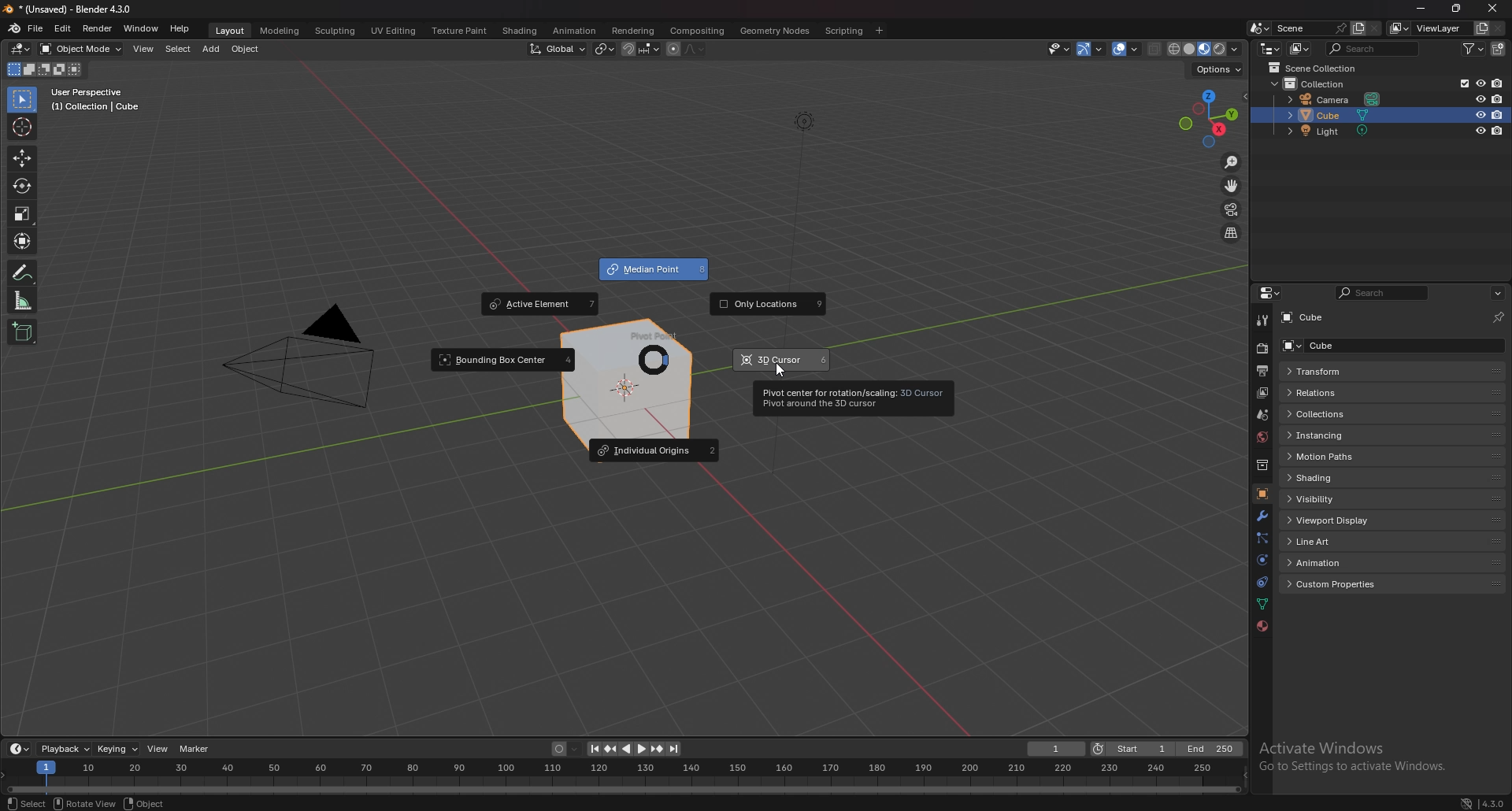 The image size is (1512, 811). What do you see at coordinates (784, 358) in the screenshot?
I see `3d cursor` at bounding box center [784, 358].